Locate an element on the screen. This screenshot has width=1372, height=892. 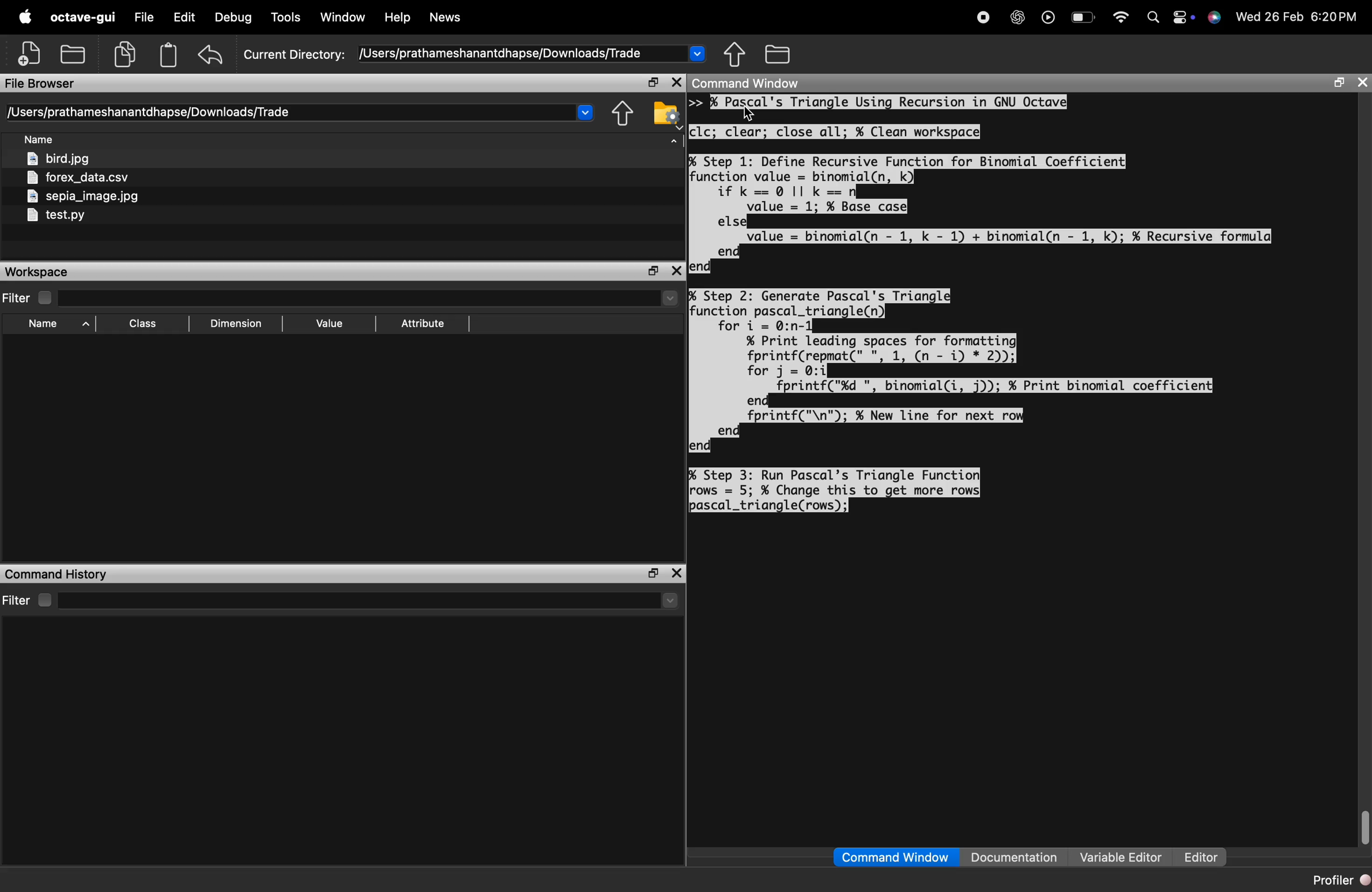
close is located at coordinates (677, 271).